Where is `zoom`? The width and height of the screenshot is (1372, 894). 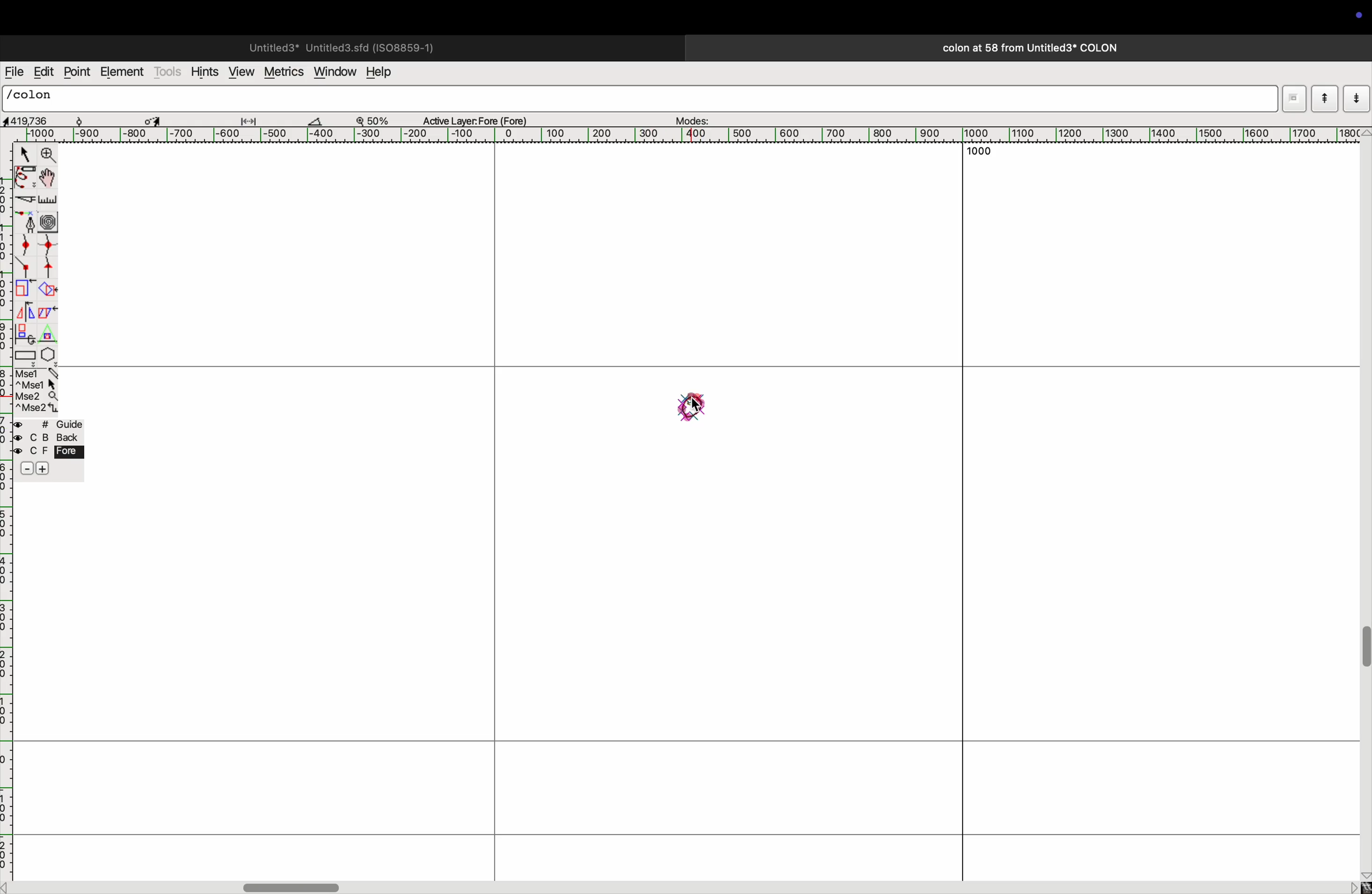
zoom is located at coordinates (378, 119).